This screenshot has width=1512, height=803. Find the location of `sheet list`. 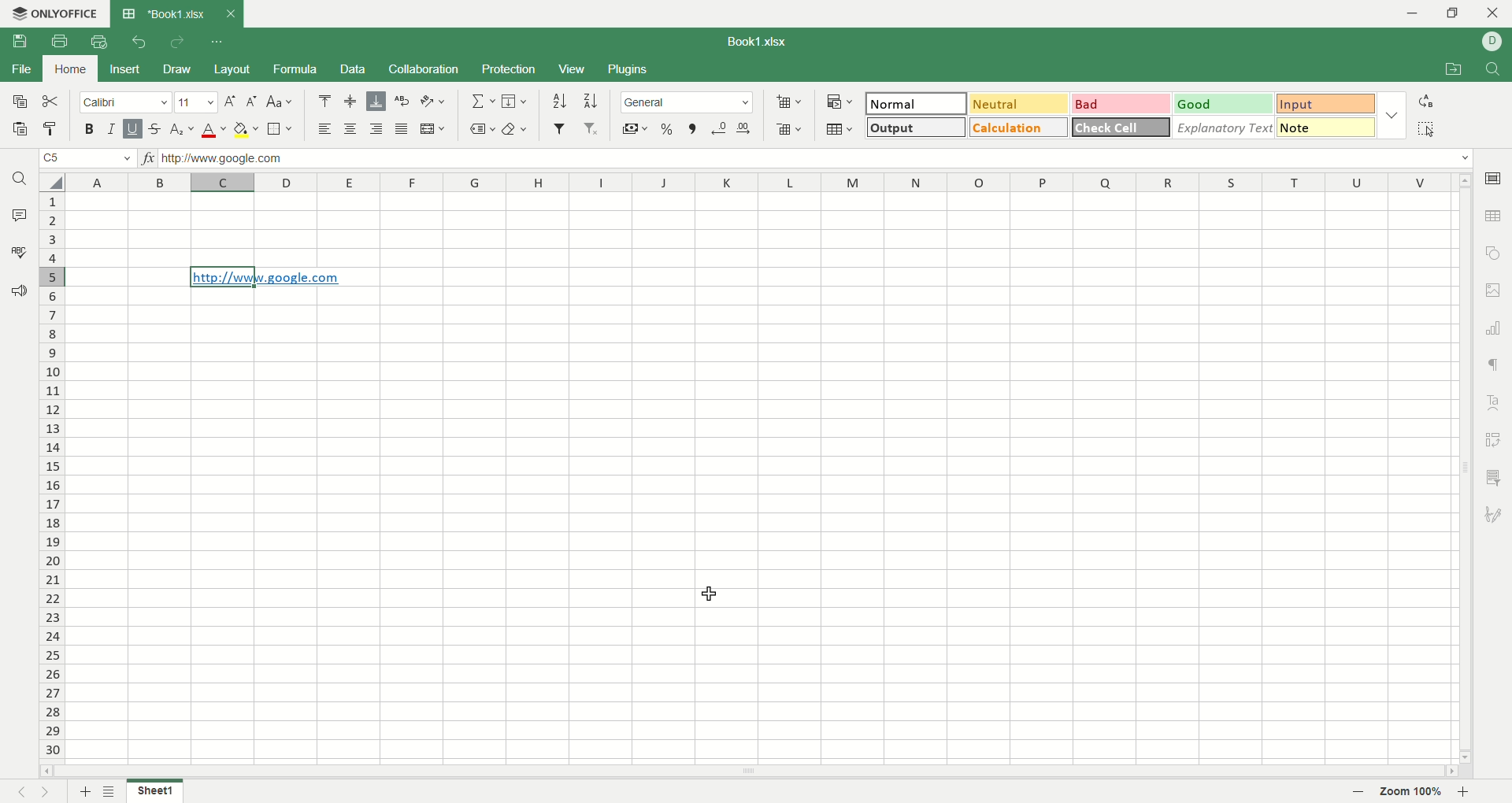

sheet list is located at coordinates (112, 792).